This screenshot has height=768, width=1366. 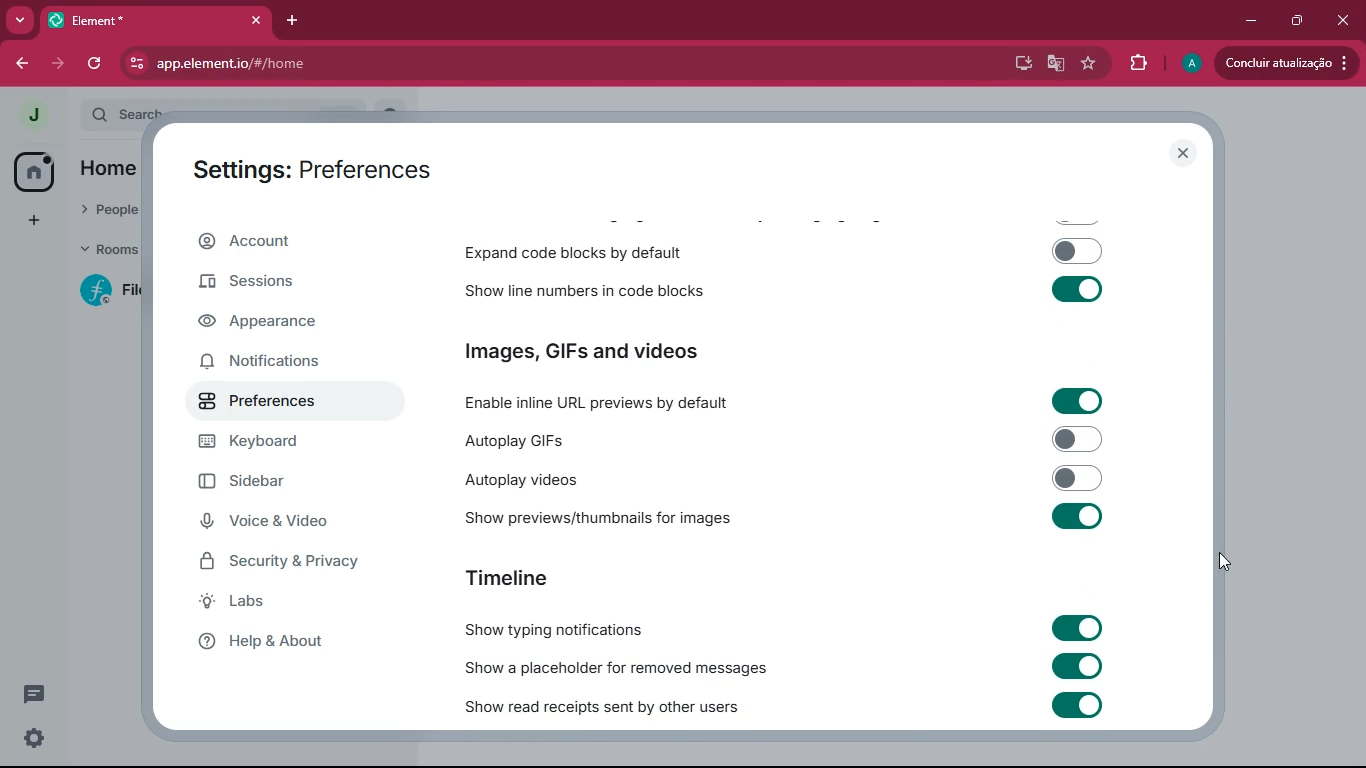 I want to click on toggle on/off, so click(x=1079, y=438).